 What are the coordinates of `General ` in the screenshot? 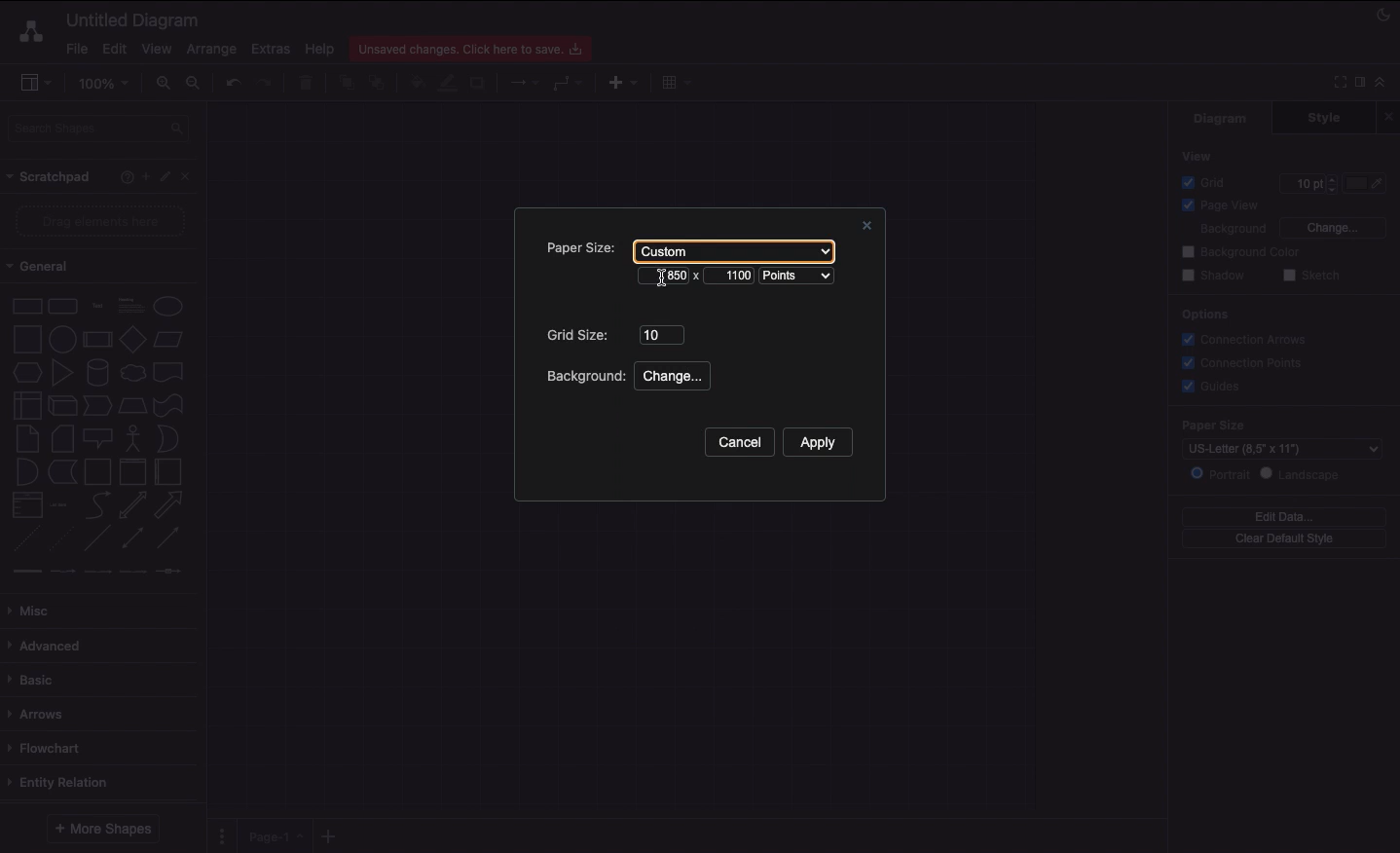 It's located at (49, 267).